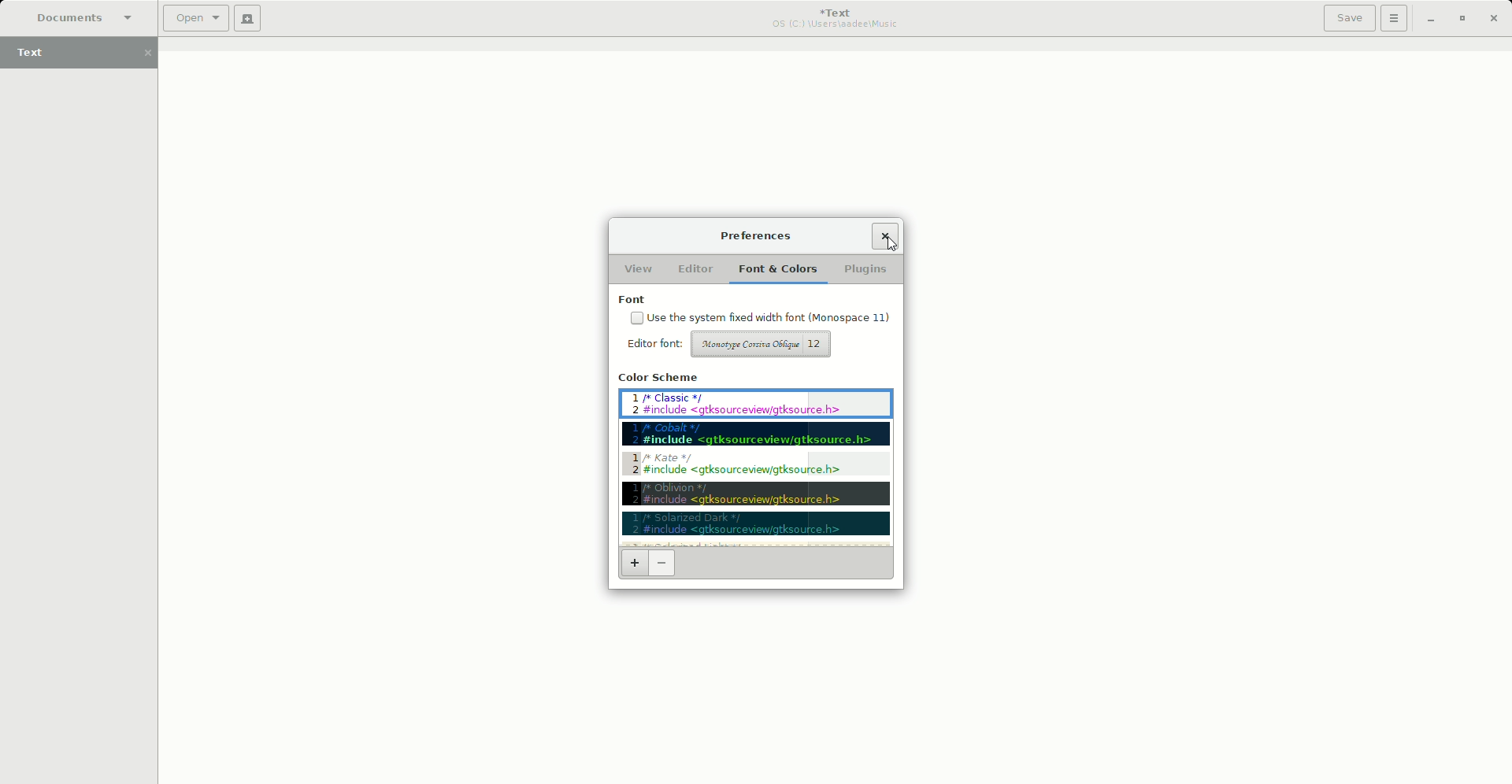  I want to click on New, so click(248, 18).